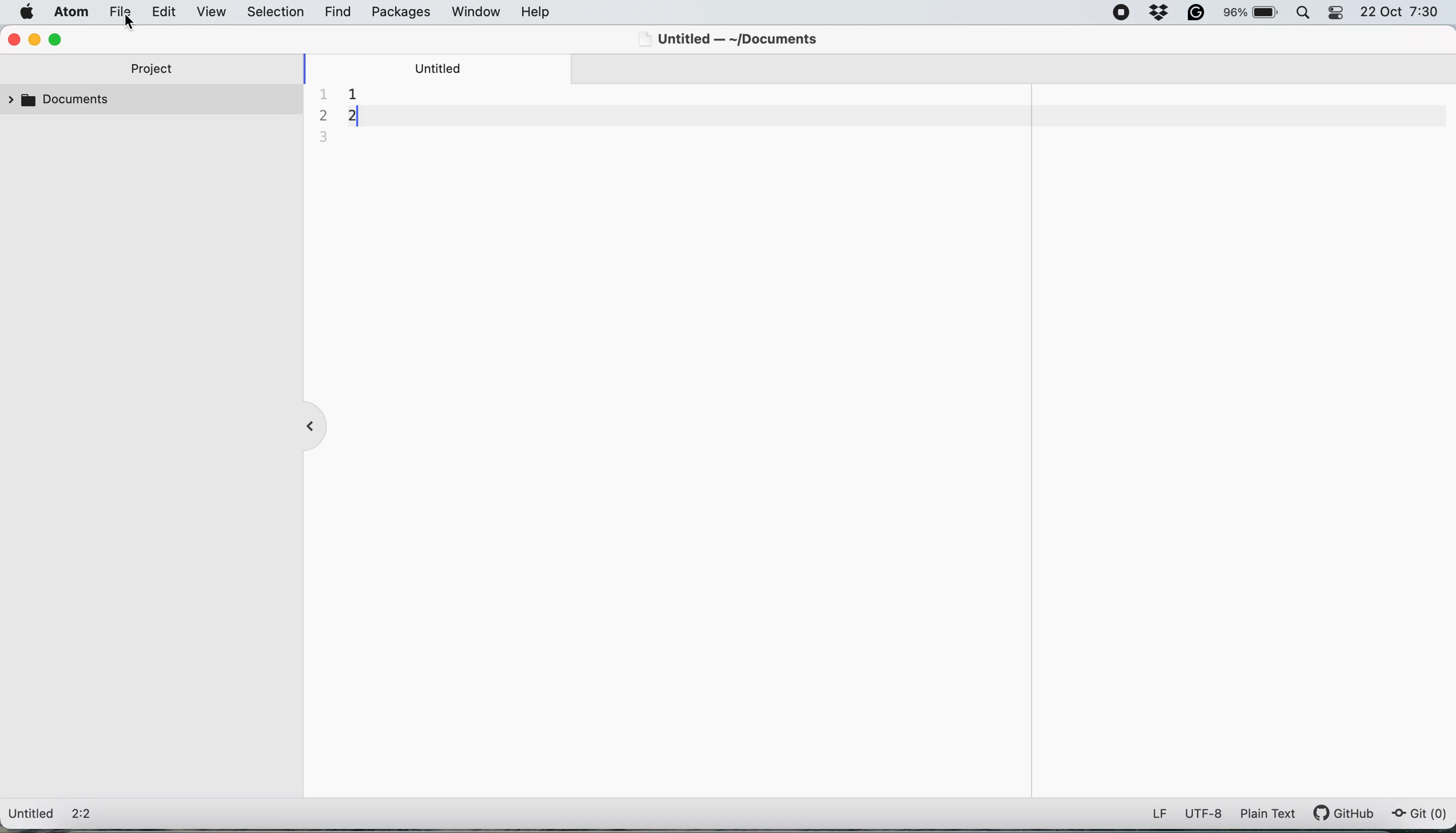  What do you see at coordinates (62, 103) in the screenshot?
I see `documents` at bounding box center [62, 103].